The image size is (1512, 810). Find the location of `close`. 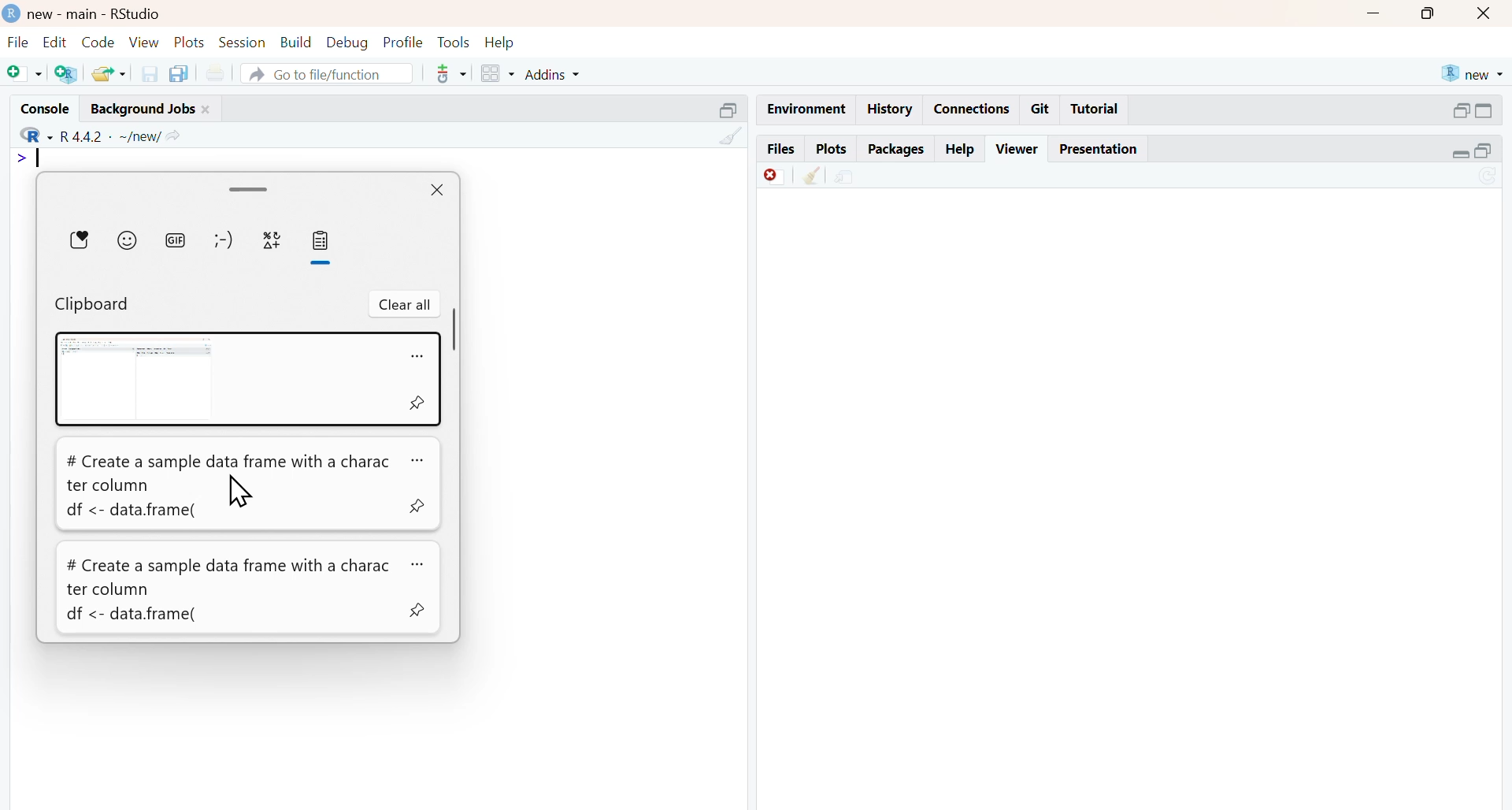

close is located at coordinates (206, 110).